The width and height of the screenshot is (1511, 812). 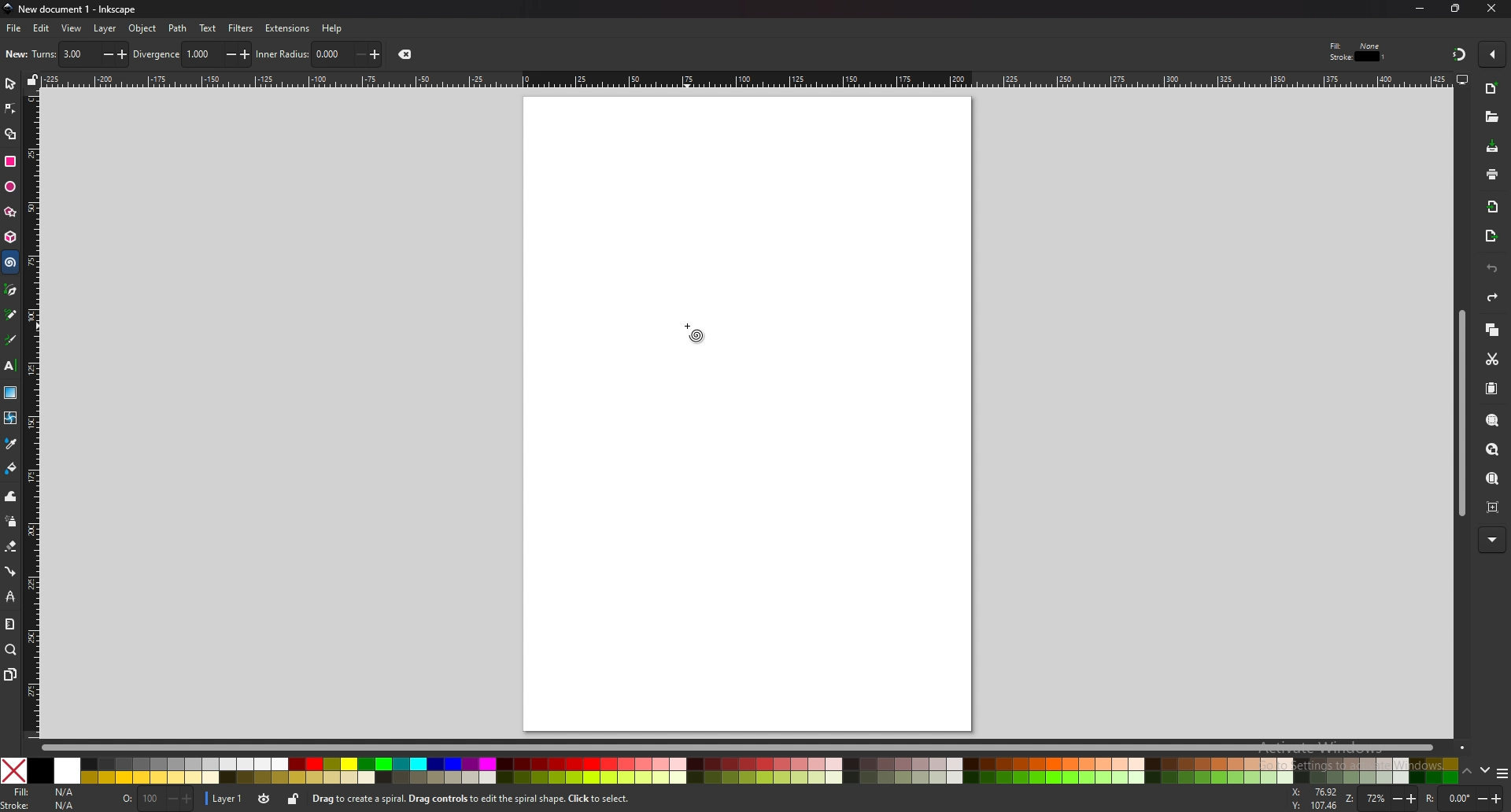 I want to click on enable snapping, so click(x=1491, y=53).